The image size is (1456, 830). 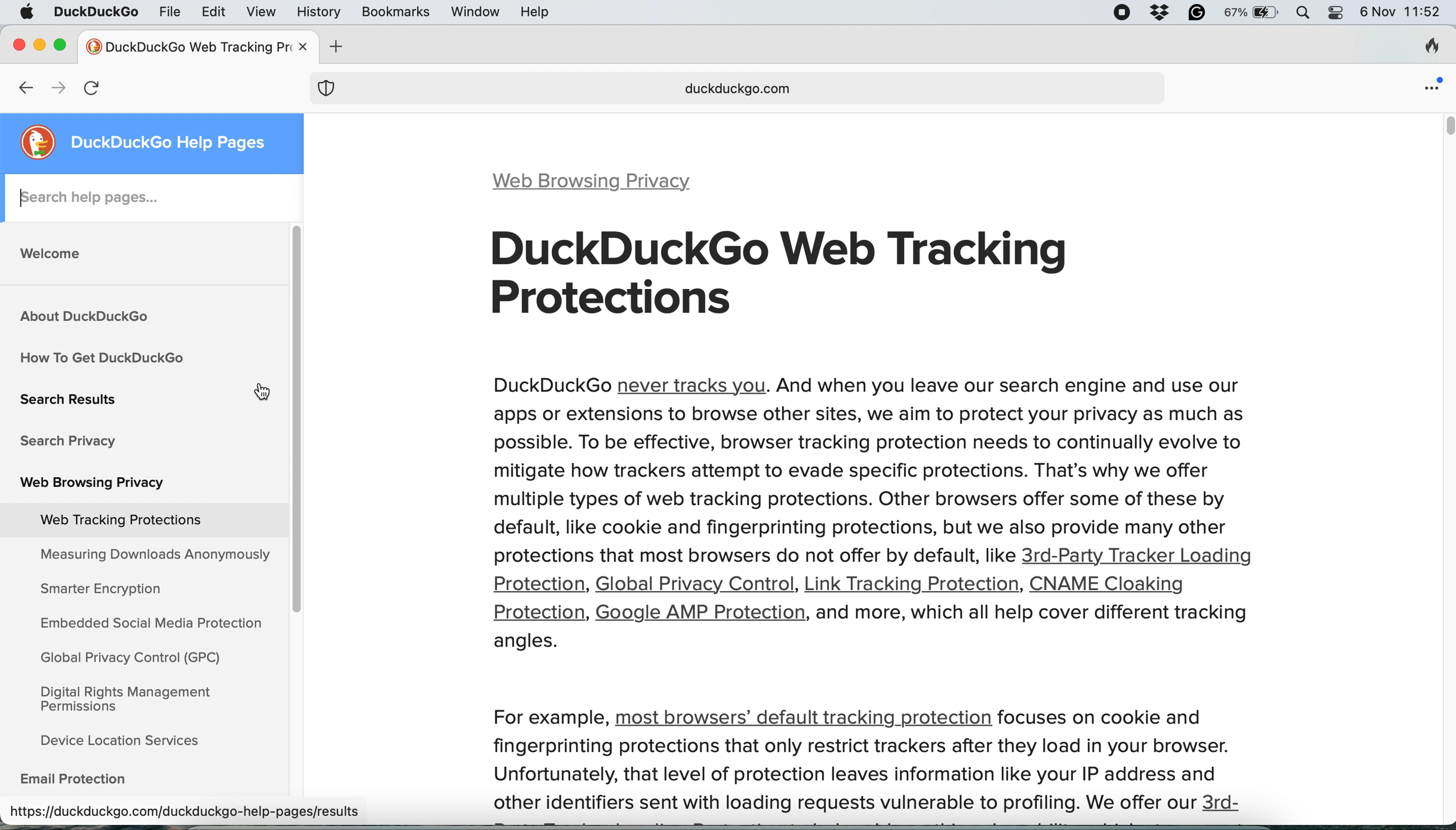 What do you see at coordinates (471, 11) in the screenshot?
I see `window` at bounding box center [471, 11].